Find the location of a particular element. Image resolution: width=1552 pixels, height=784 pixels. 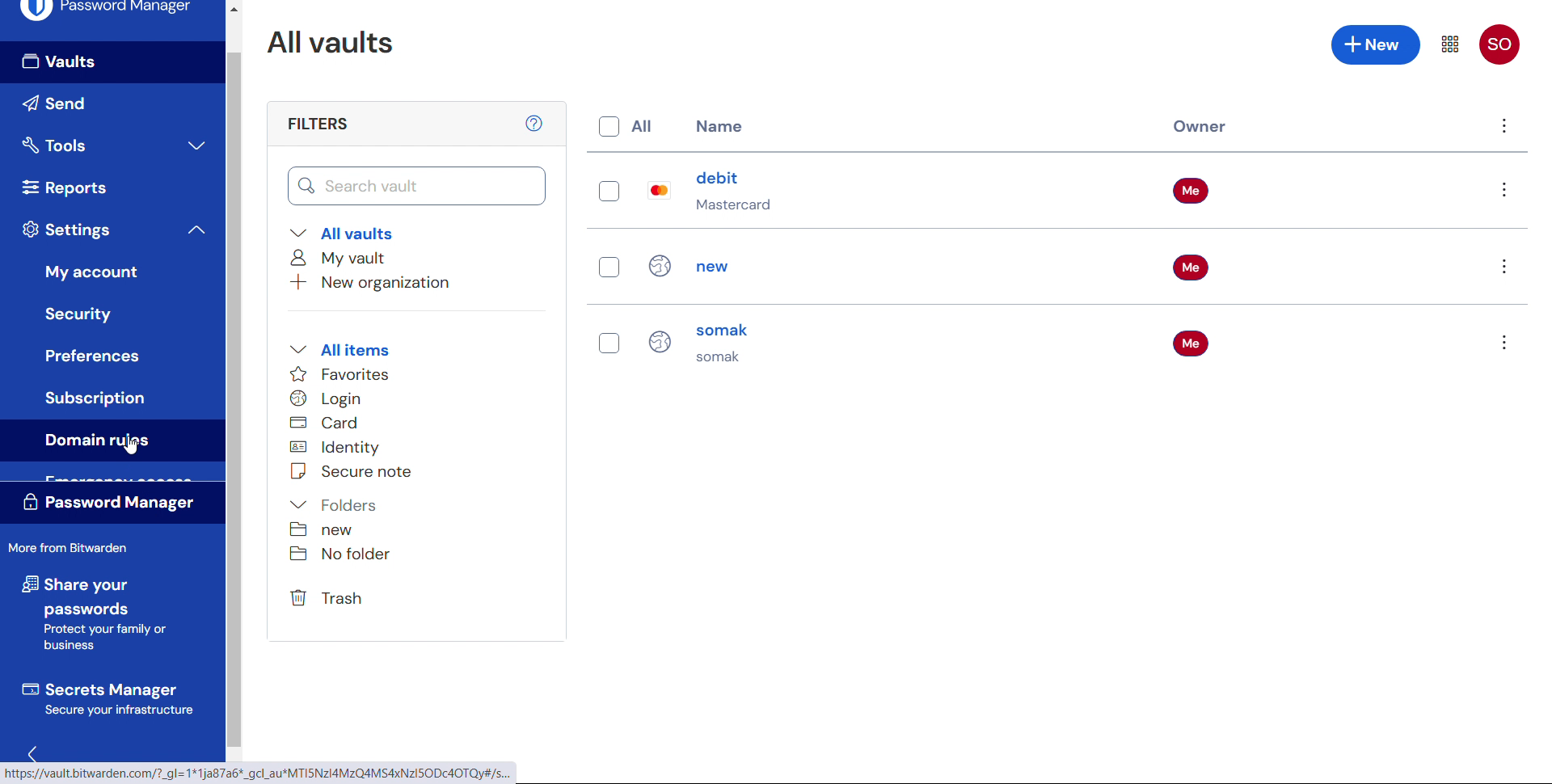

account  is located at coordinates (1501, 44).